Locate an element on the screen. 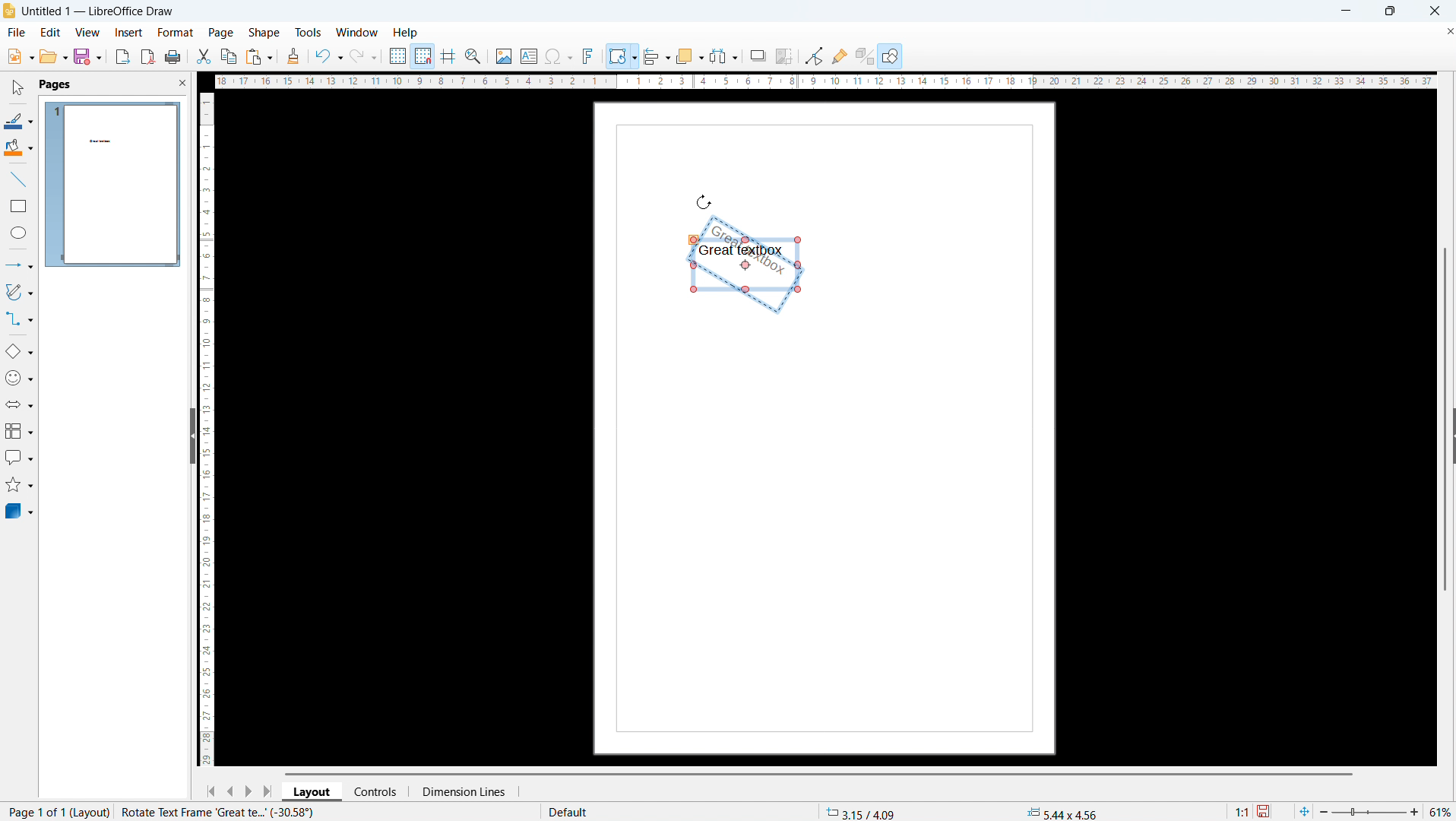 This screenshot has height=821, width=1456. vertical ruler is located at coordinates (207, 428).